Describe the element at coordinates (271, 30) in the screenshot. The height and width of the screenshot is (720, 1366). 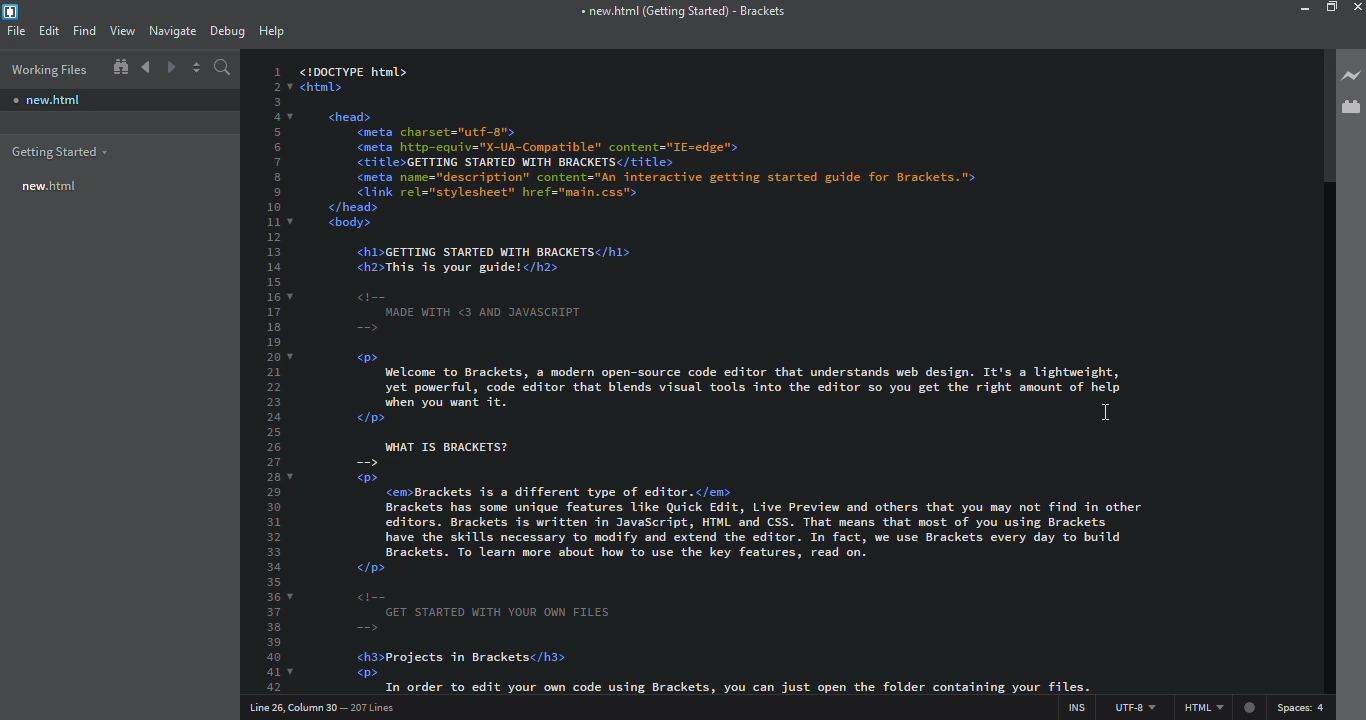
I see `help` at that location.